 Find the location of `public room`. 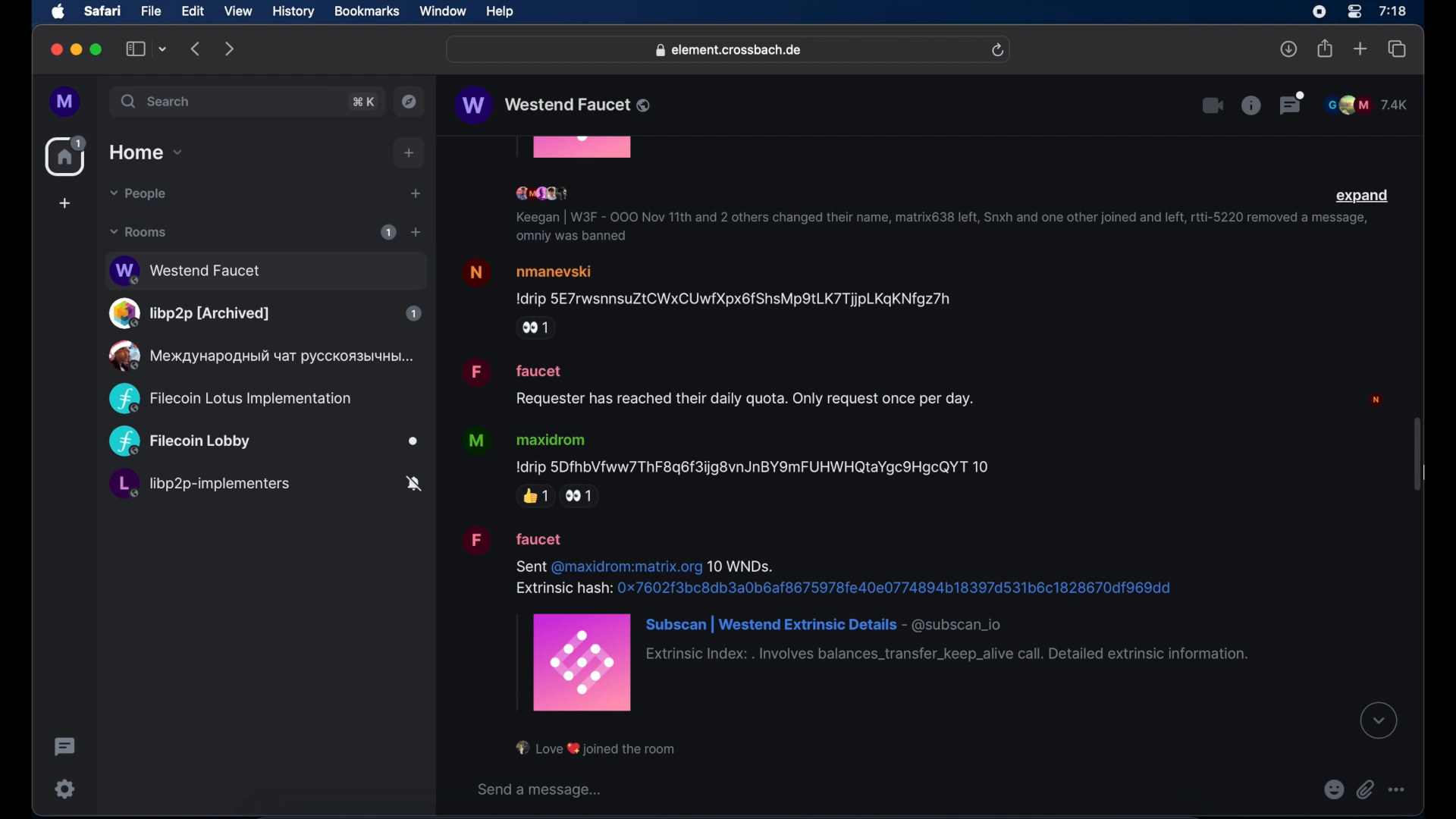

public room is located at coordinates (265, 313).